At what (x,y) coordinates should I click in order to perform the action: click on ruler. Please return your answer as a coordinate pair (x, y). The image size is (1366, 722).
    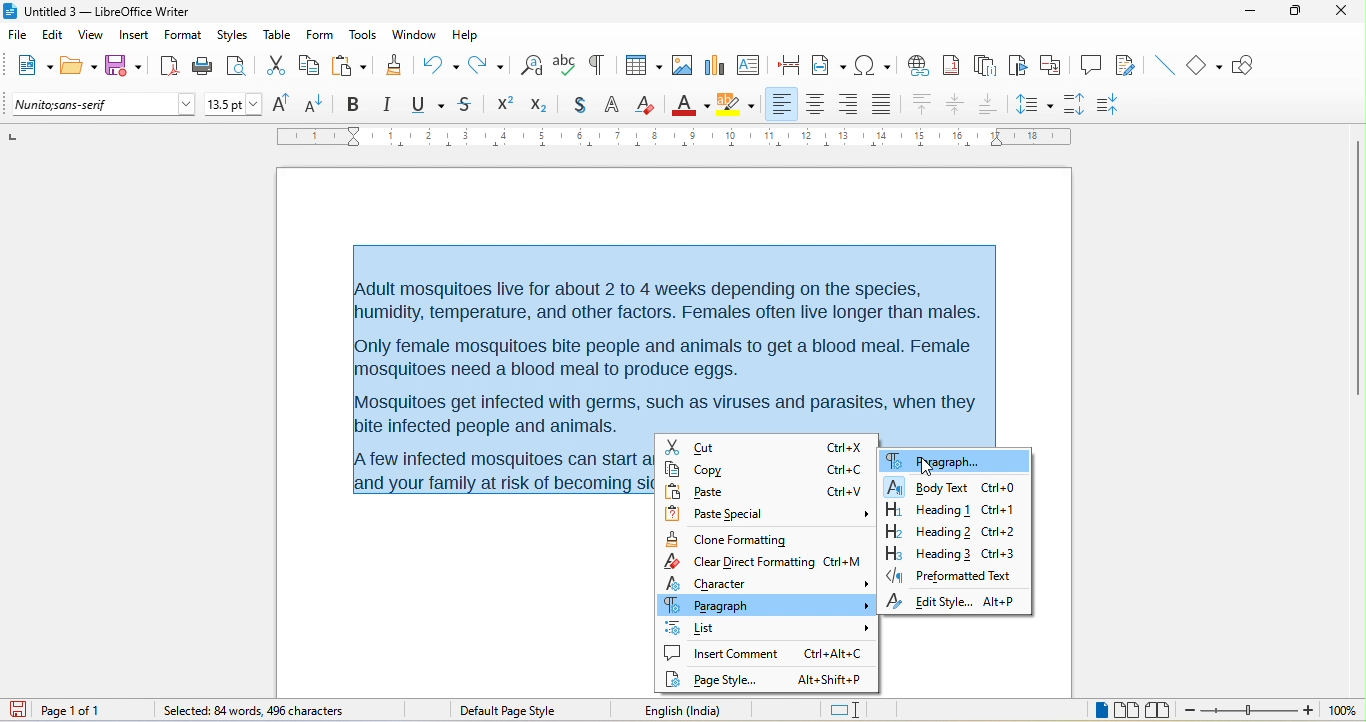
    Looking at the image, I should click on (675, 136).